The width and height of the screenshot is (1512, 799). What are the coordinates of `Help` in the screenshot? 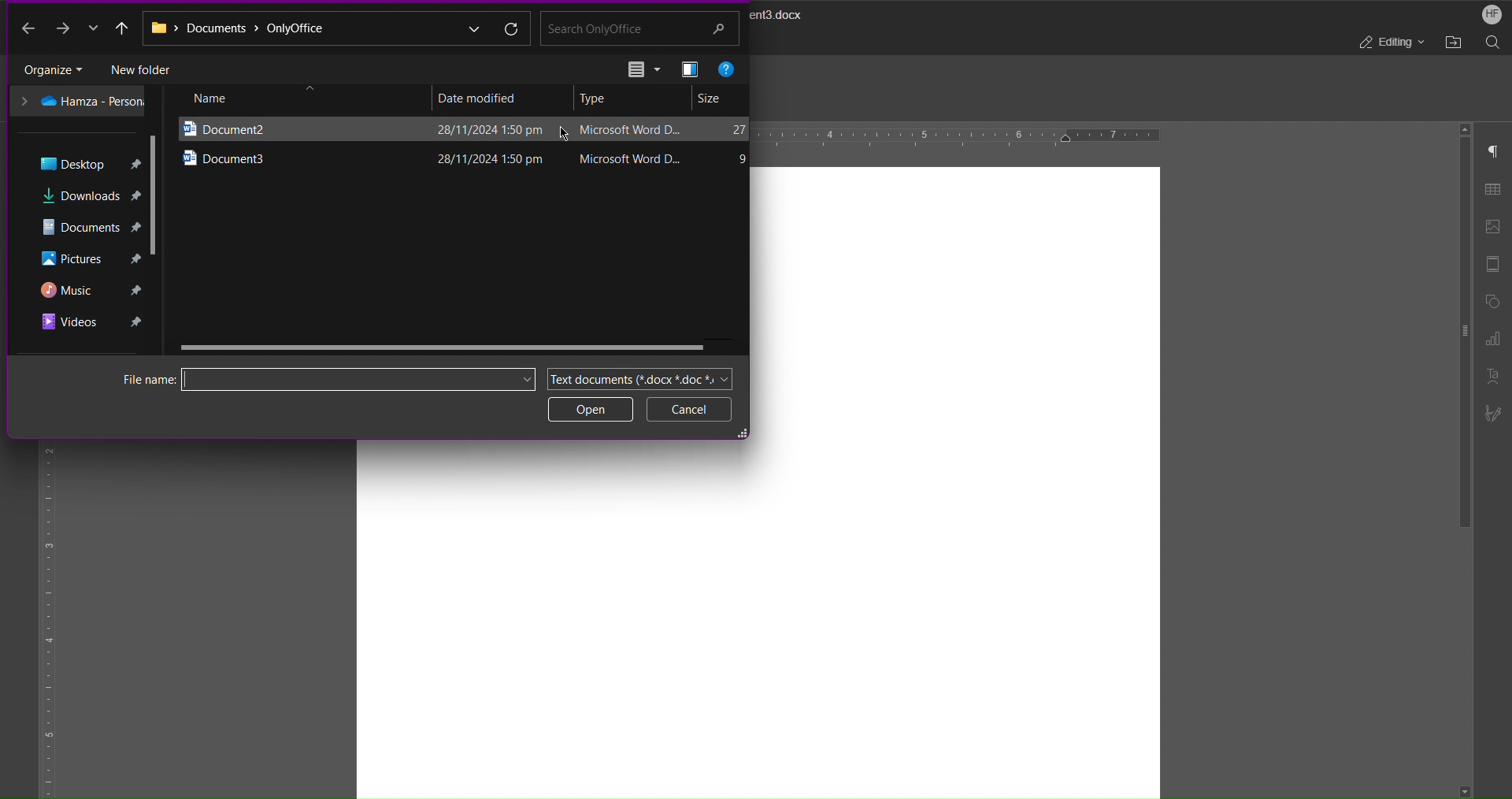 It's located at (727, 69).